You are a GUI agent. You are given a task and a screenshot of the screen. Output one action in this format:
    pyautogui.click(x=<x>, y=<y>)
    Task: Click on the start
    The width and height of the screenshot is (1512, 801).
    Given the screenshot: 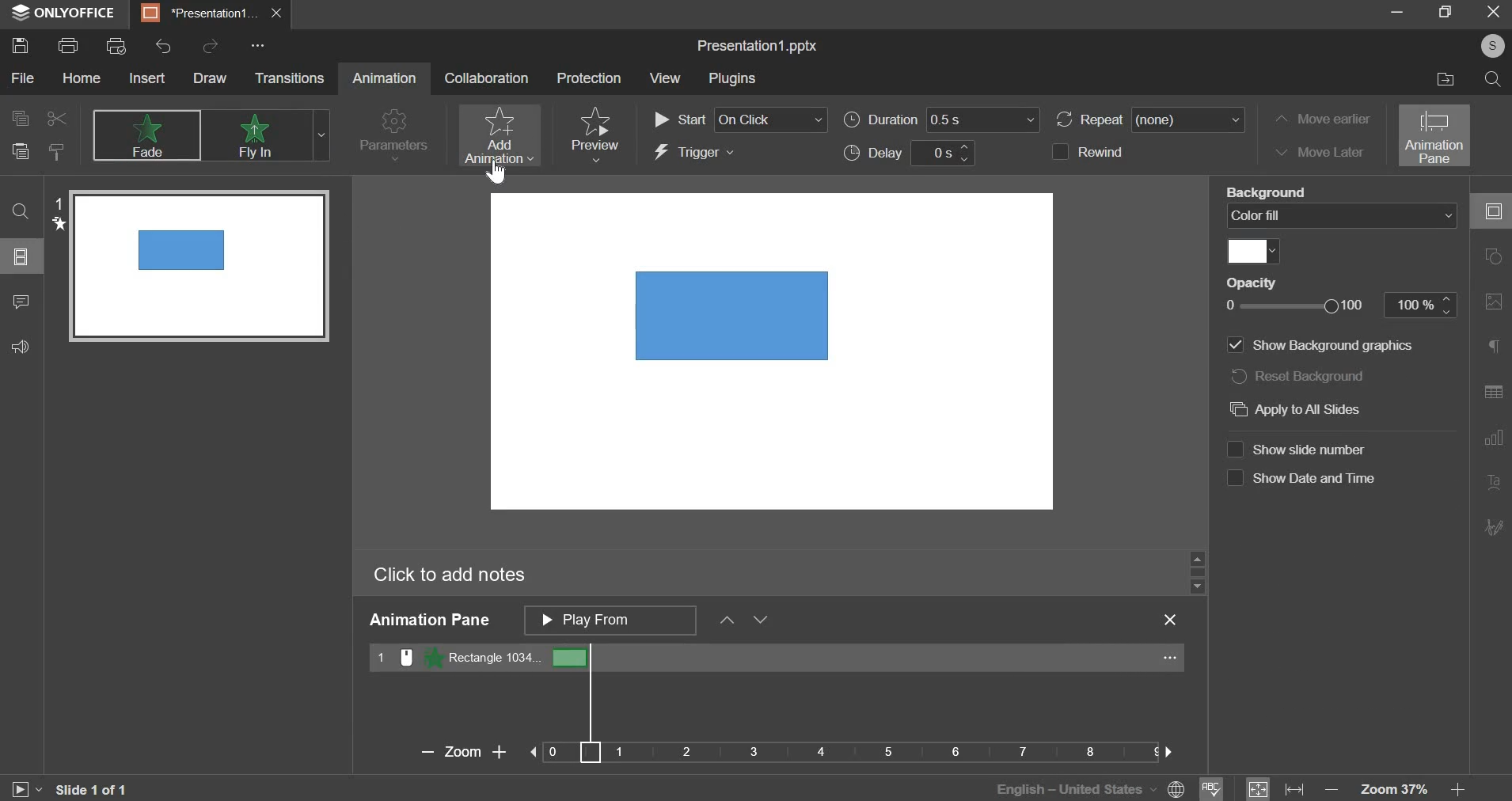 What is the action you would take?
    pyautogui.click(x=741, y=118)
    